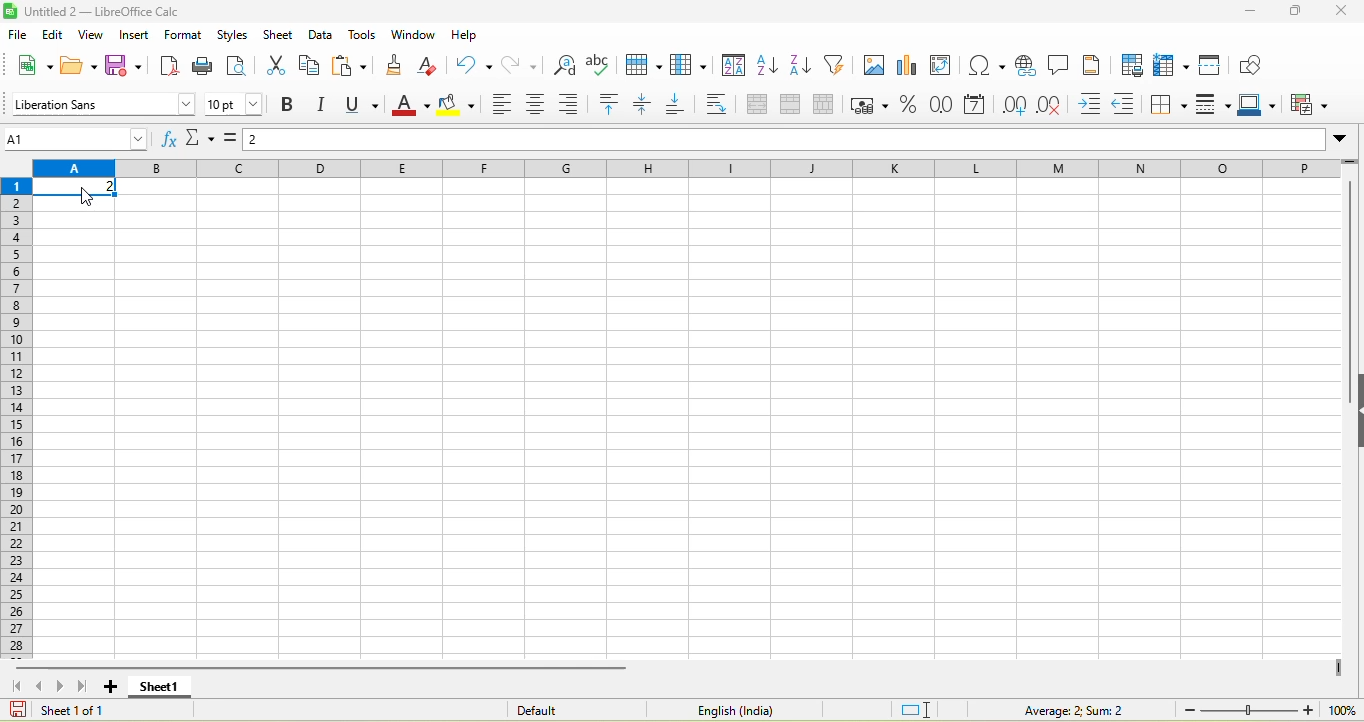 The height and width of the screenshot is (722, 1364). Describe the element at coordinates (913, 106) in the screenshot. I see `format as percent` at that location.